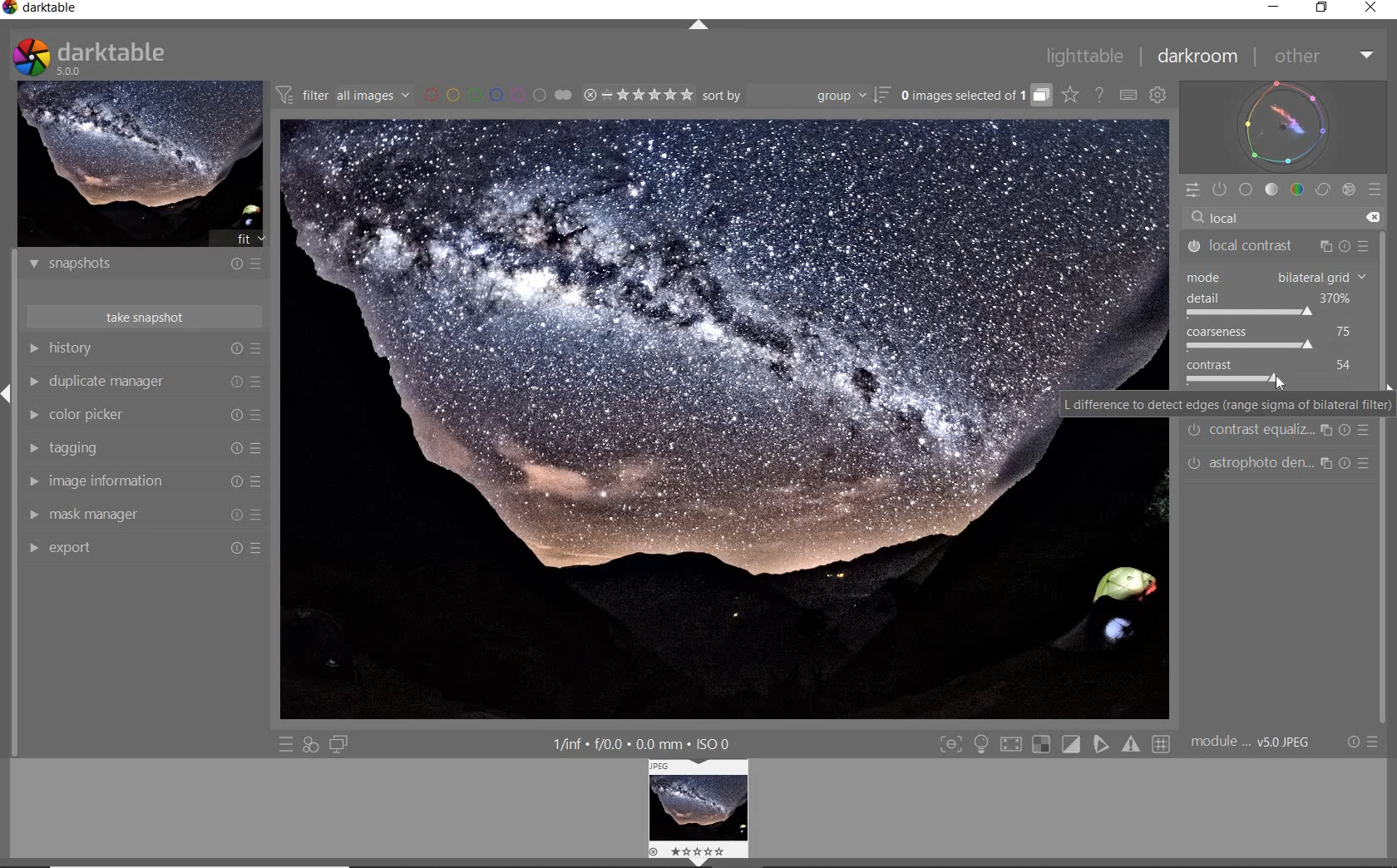 The width and height of the screenshot is (1397, 868). What do you see at coordinates (1281, 382) in the screenshot?
I see `cursor` at bounding box center [1281, 382].